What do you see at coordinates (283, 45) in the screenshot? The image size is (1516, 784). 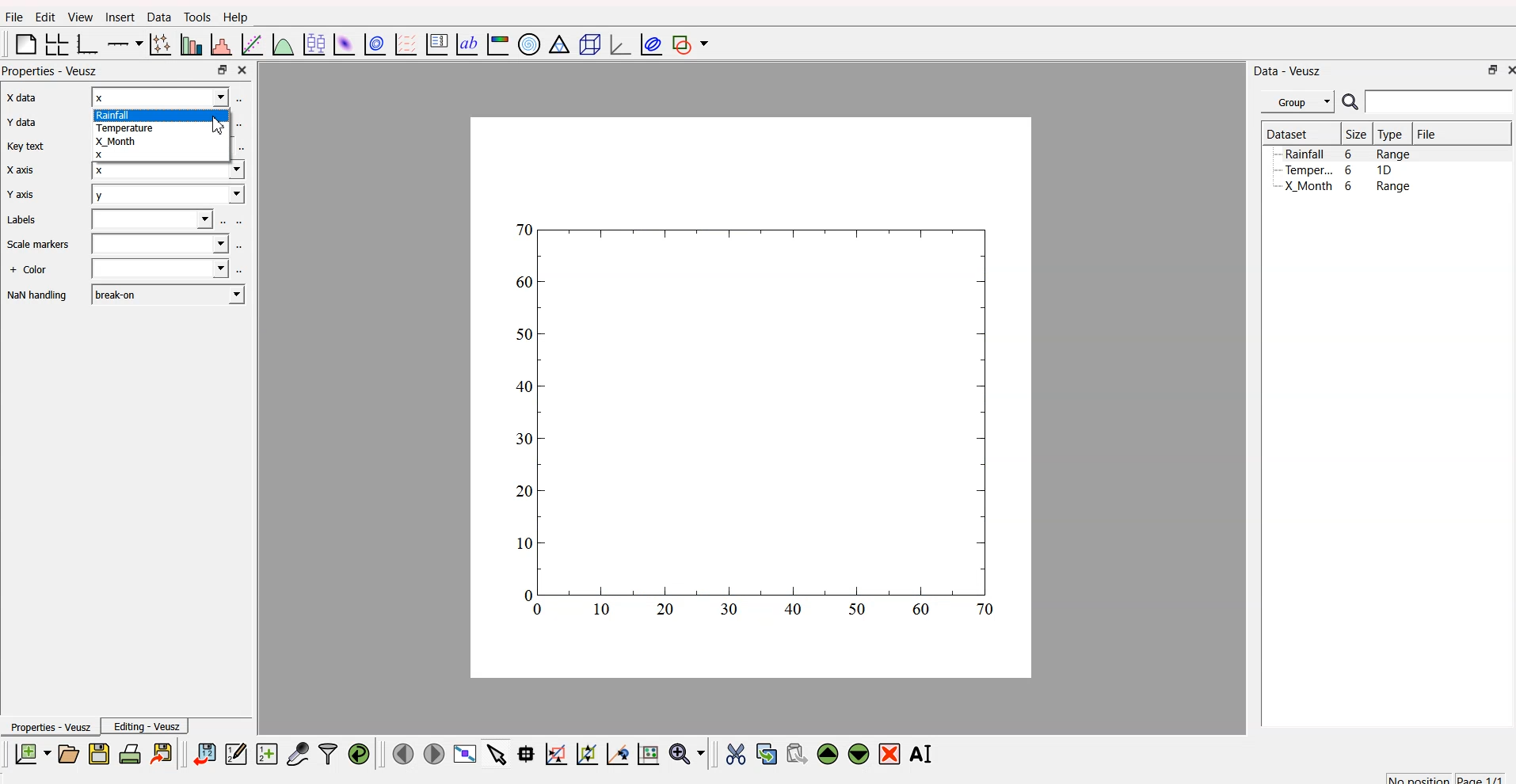 I see `plot function` at bounding box center [283, 45].